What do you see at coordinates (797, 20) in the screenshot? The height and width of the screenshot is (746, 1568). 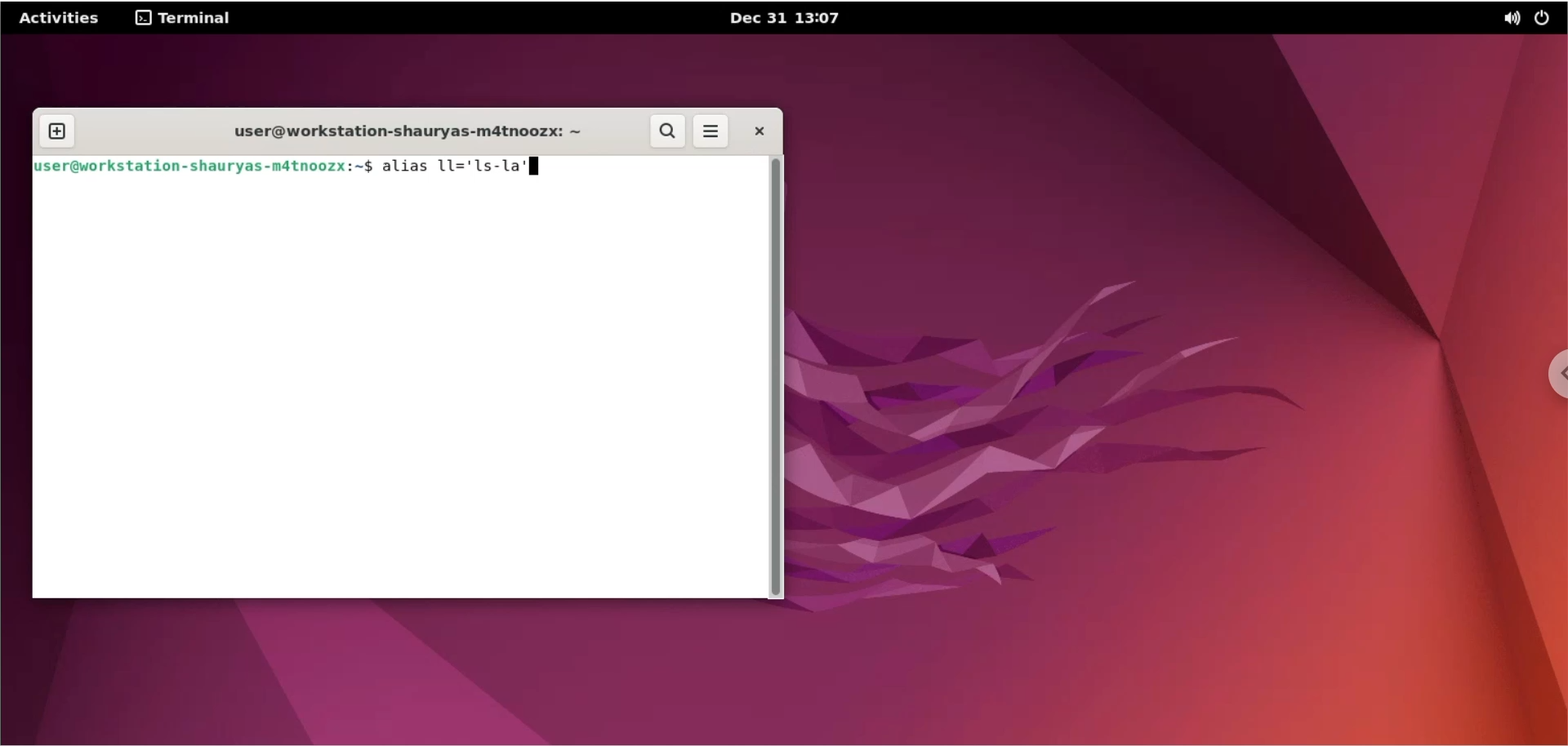 I see `Dec 31 13:07` at bounding box center [797, 20].